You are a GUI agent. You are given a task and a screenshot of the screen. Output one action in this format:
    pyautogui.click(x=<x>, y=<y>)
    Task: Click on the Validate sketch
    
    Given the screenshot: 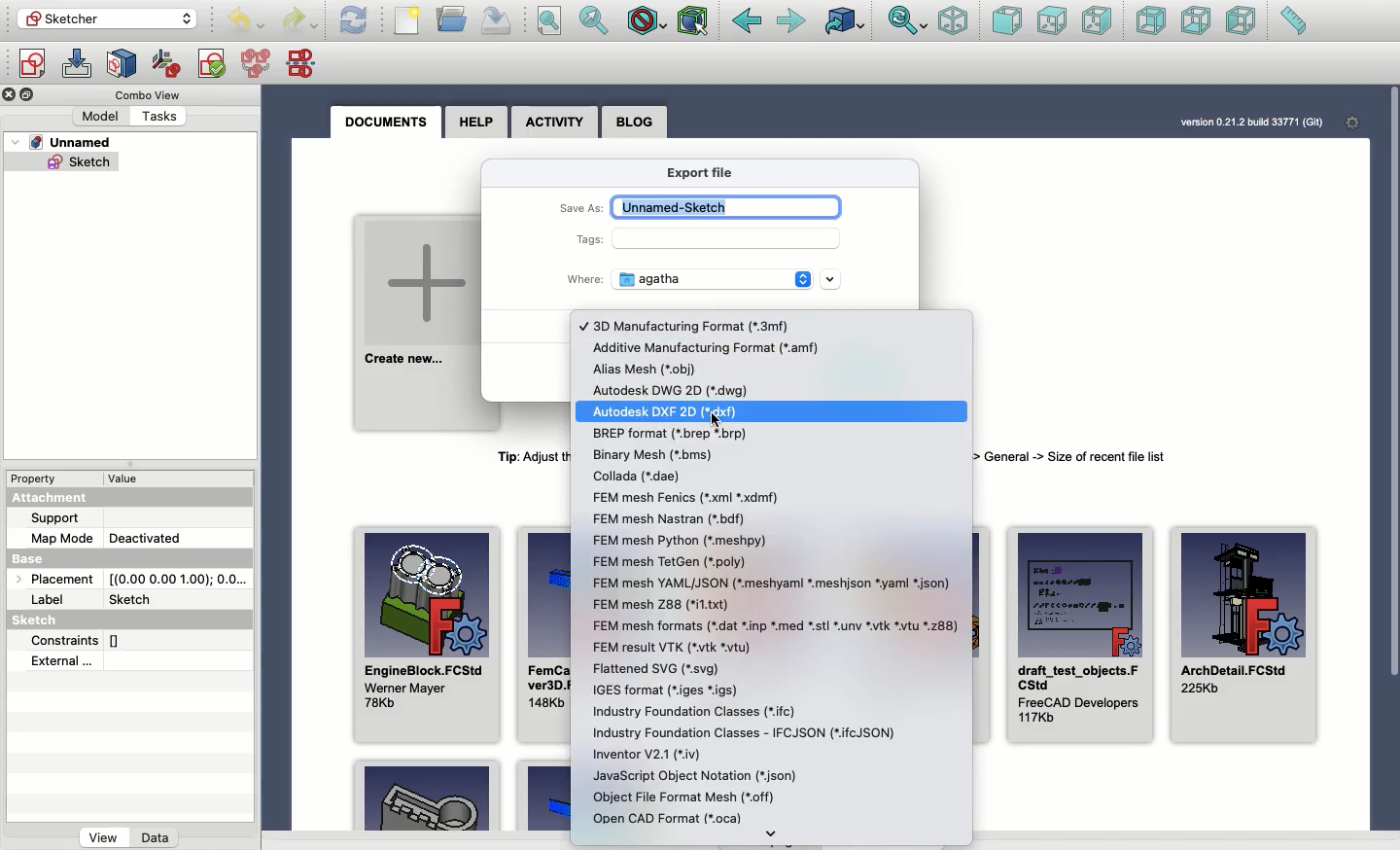 What is the action you would take?
    pyautogui.click(x=211, y=62)
    